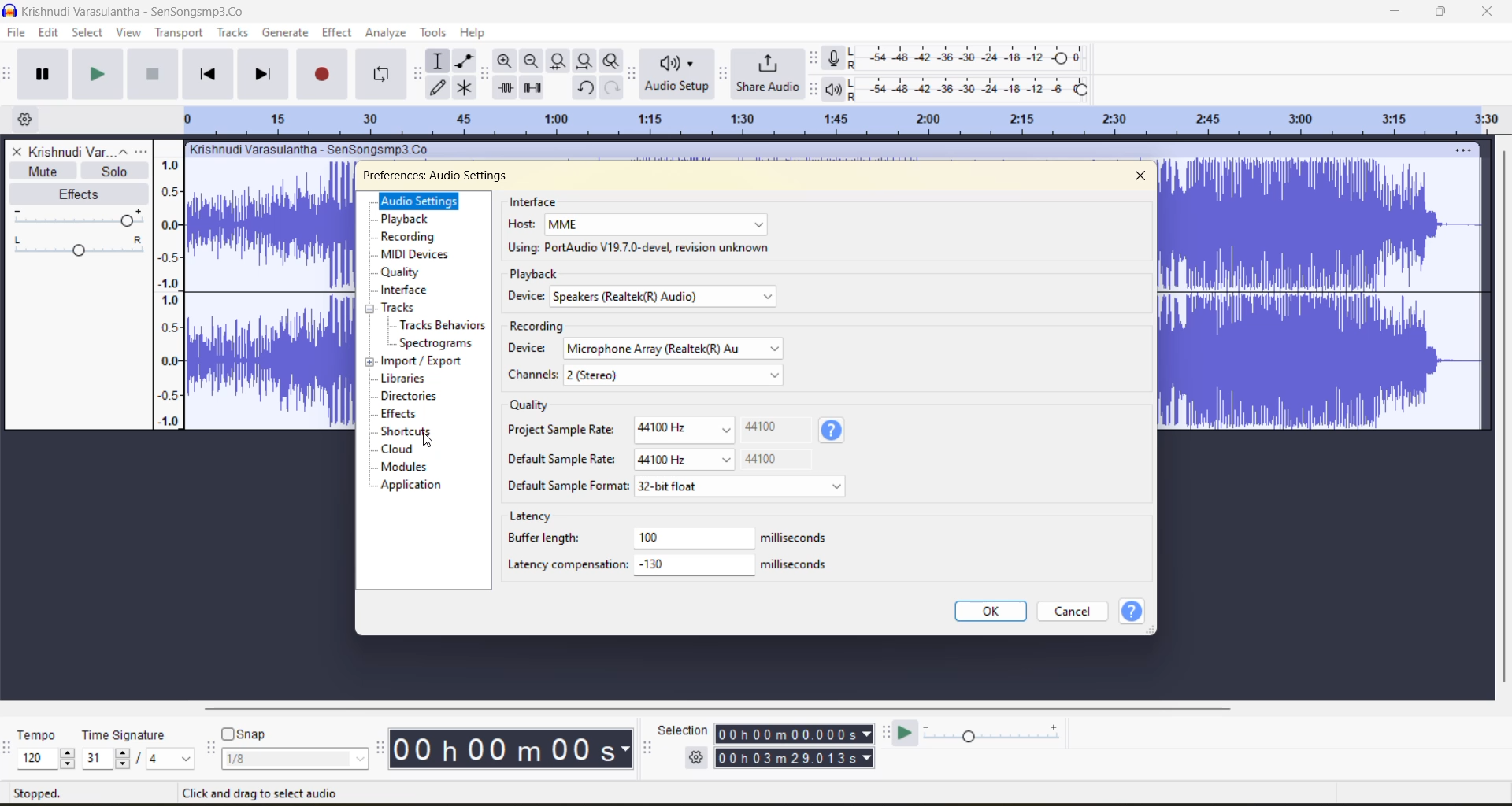  I want to click on verticle scroll bar, so click(1504, 414).